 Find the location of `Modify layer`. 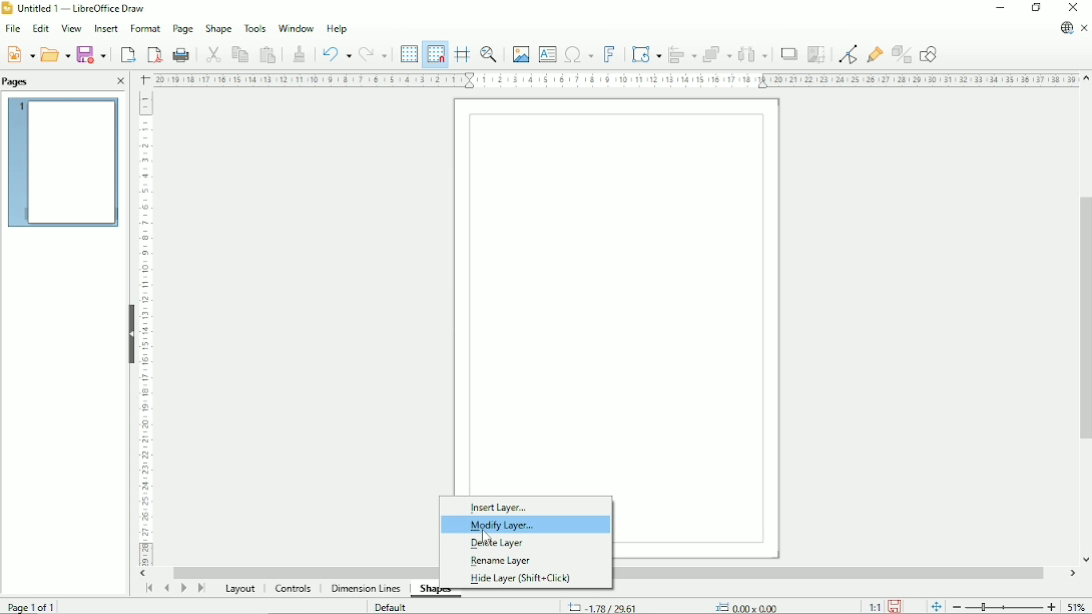

Modify layer is located at coordinates (503, 526).